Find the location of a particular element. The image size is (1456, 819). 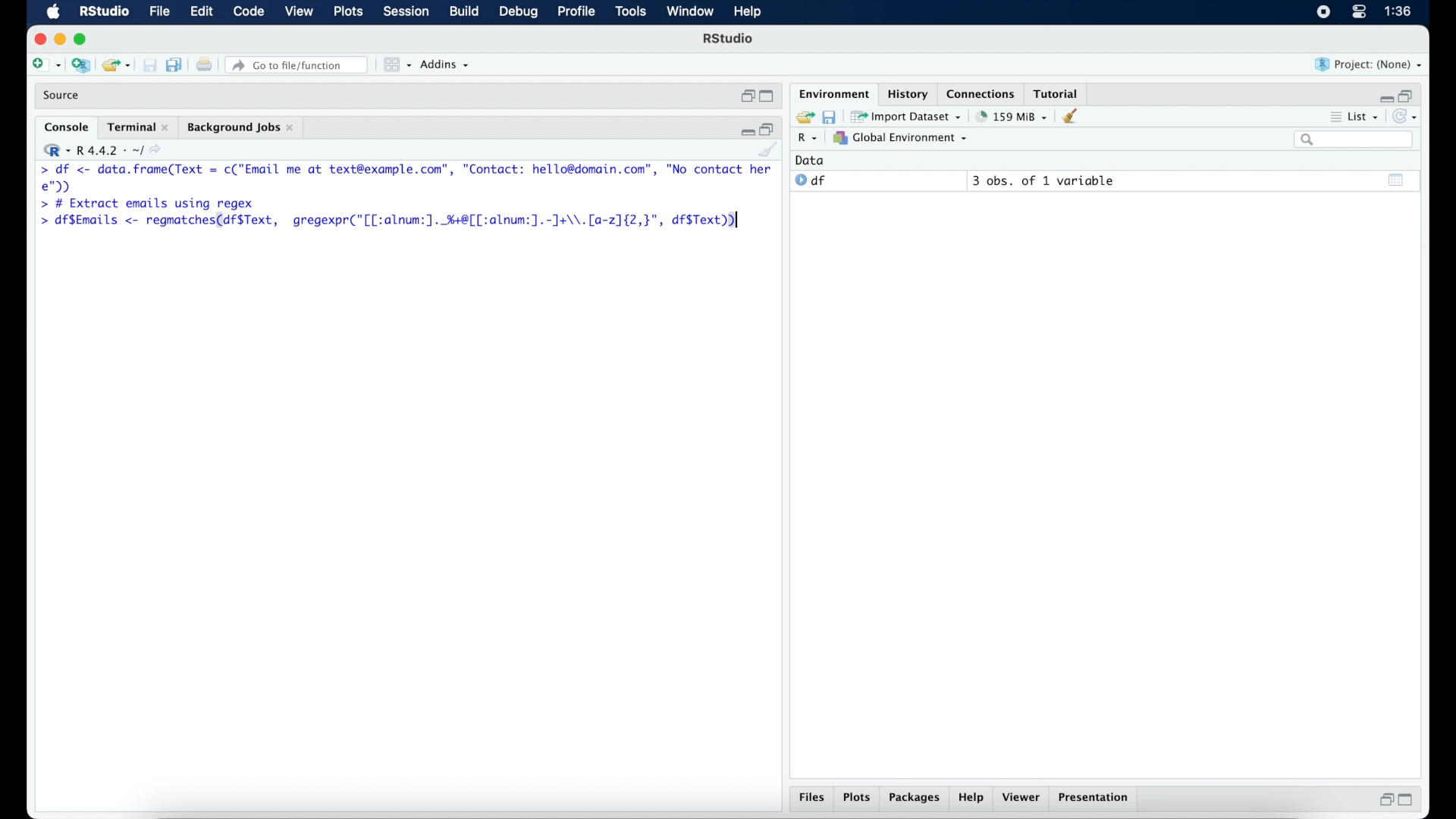

plots is located at coordinates (857, 797).